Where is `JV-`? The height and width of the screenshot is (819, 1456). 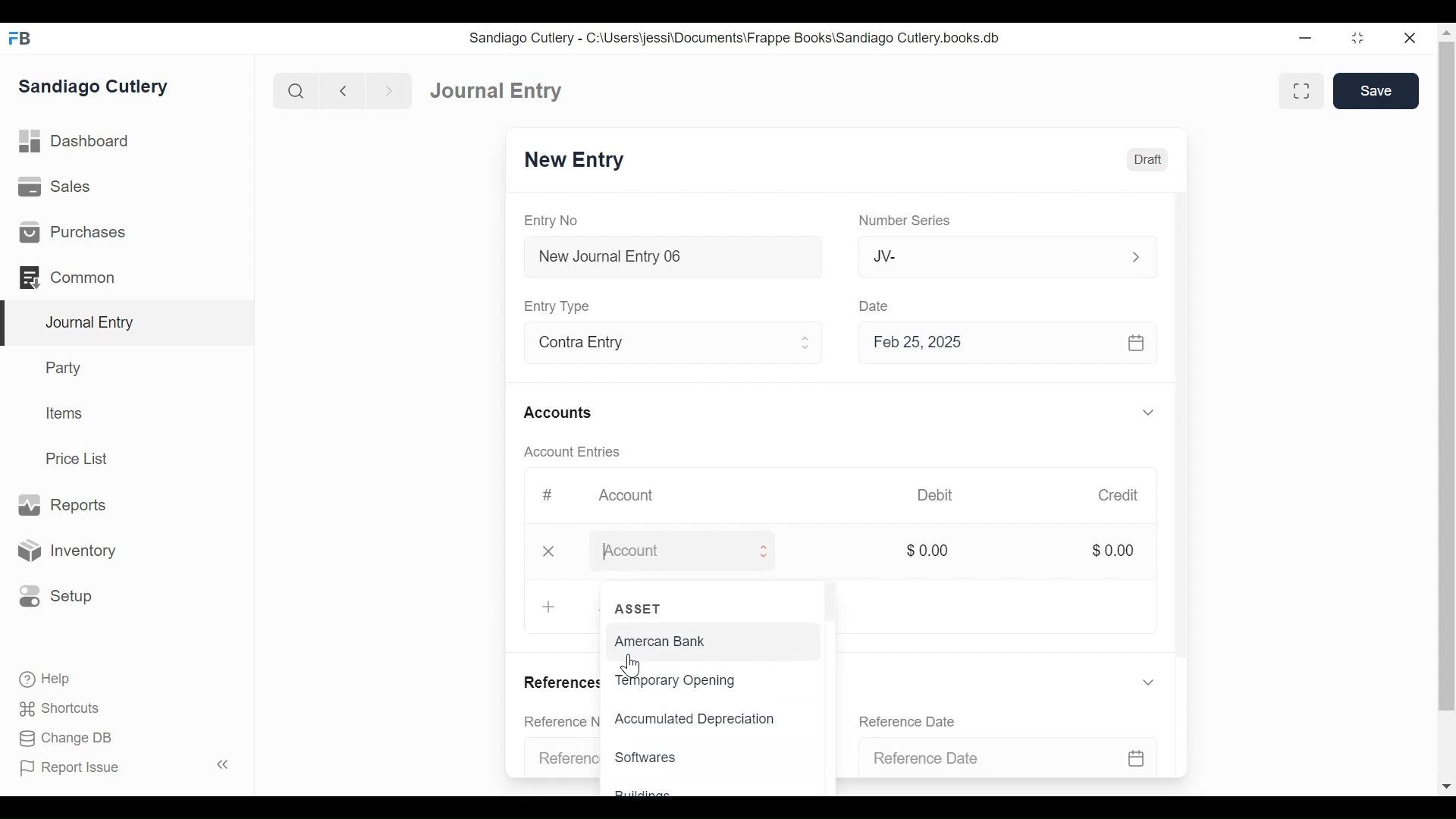
JV- is located at coordinates (986, 255).